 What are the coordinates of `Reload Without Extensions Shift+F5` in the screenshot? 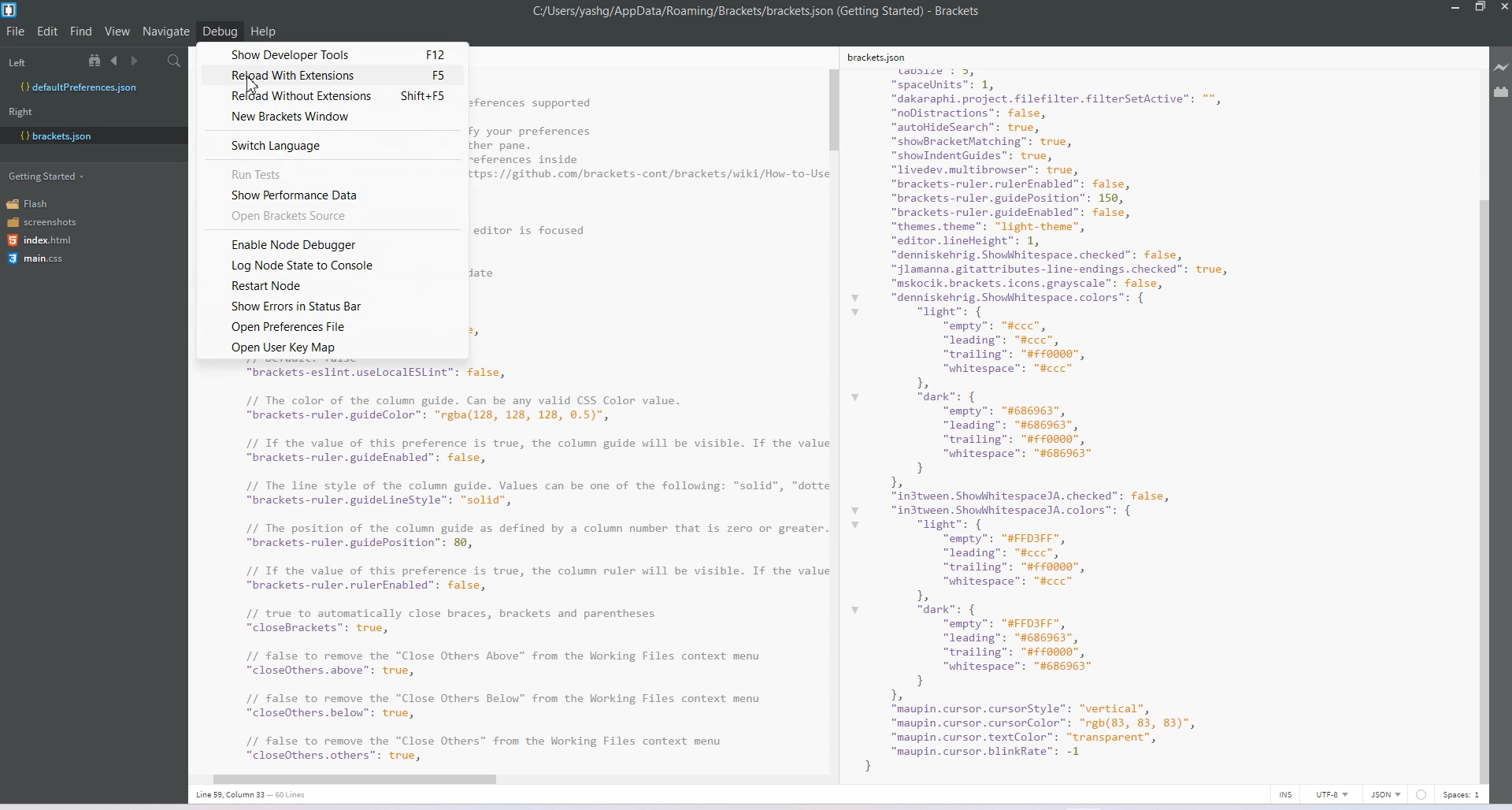 It's located at (333, 96).